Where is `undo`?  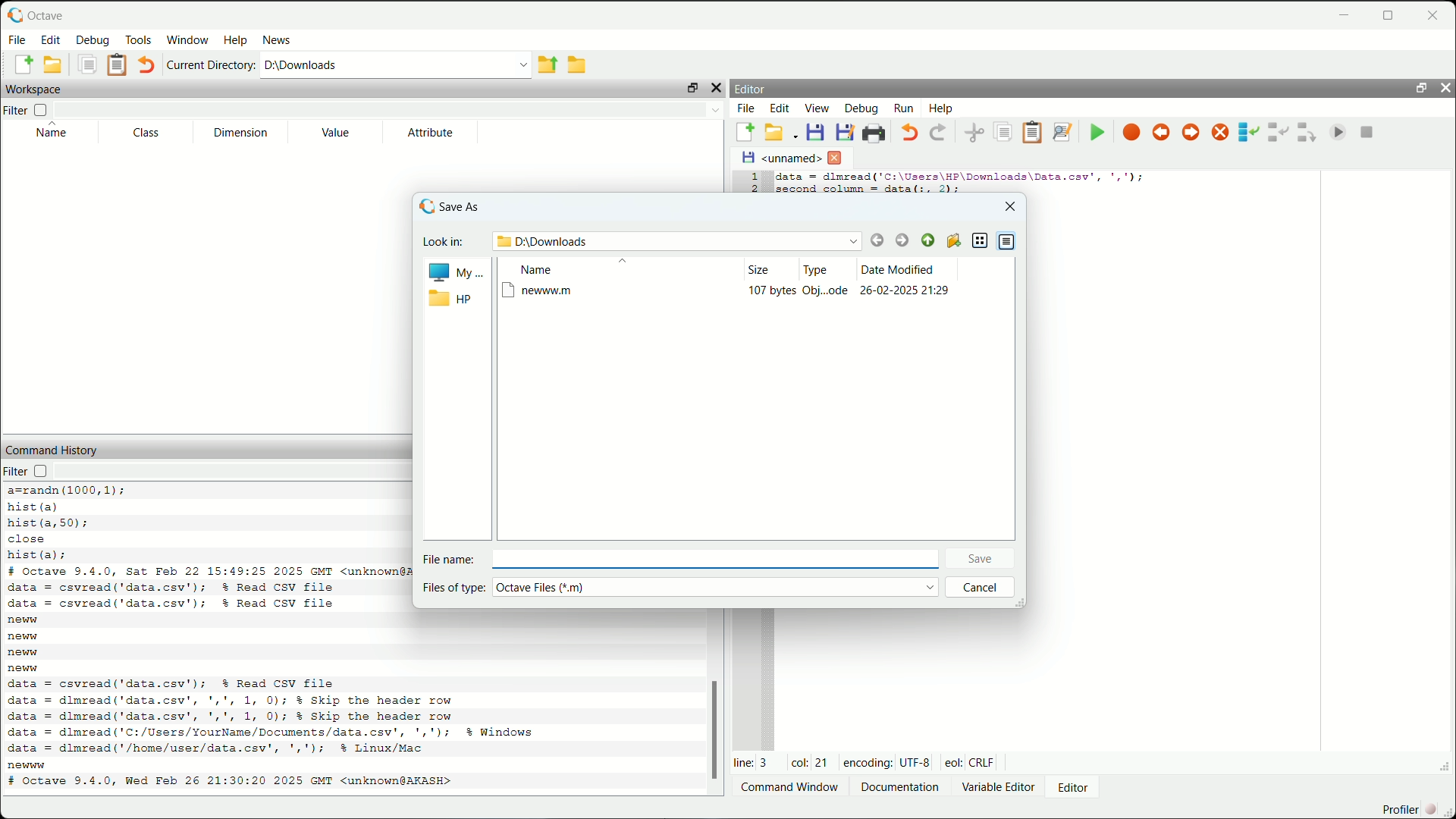 undo is located at coordinates (146, 67).